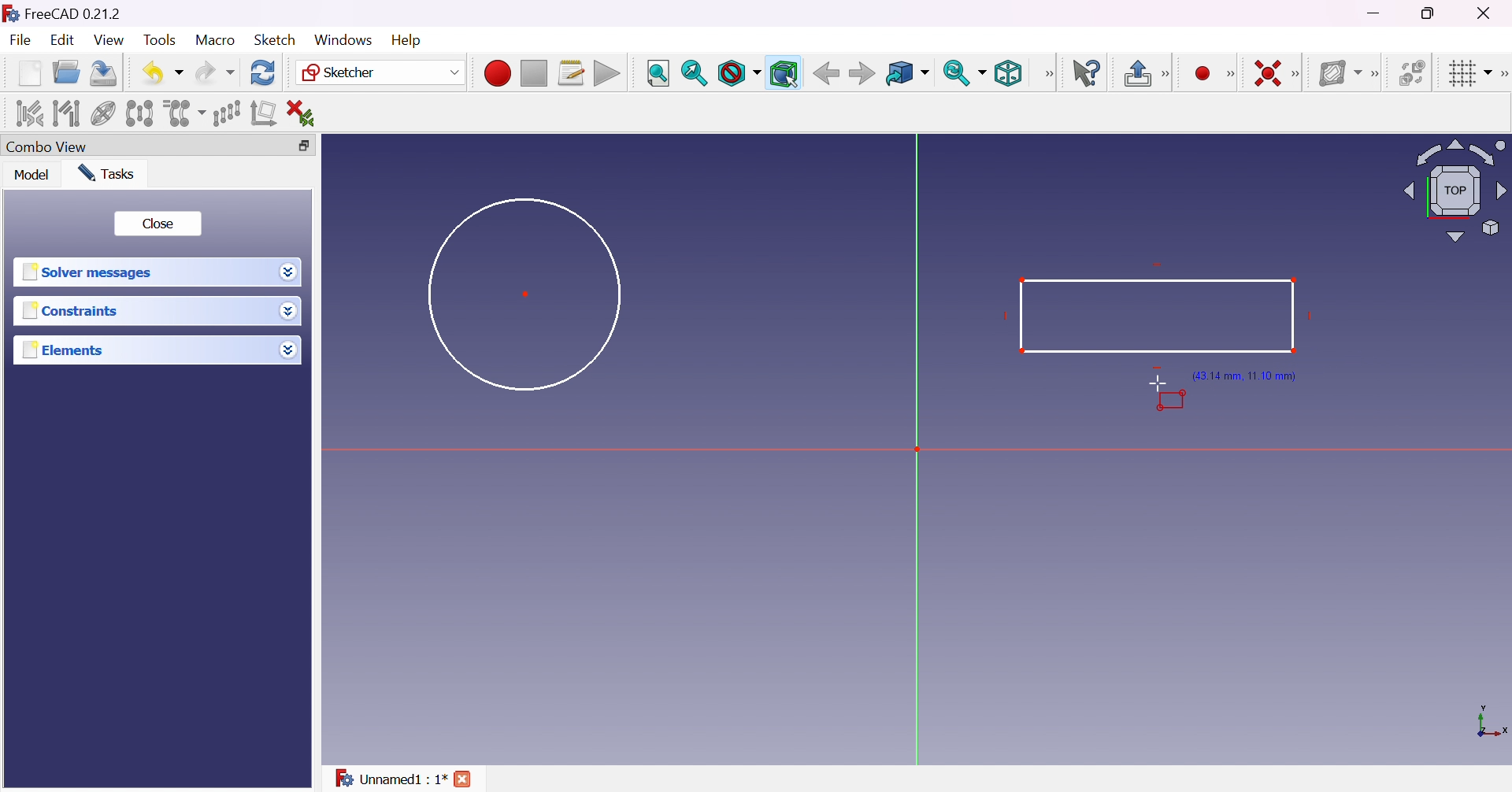 The width and height of the screenshot is (1512, 792). Describe the element at coordinates (739, 74) in the screenshot. I see `Draw style` at that location.